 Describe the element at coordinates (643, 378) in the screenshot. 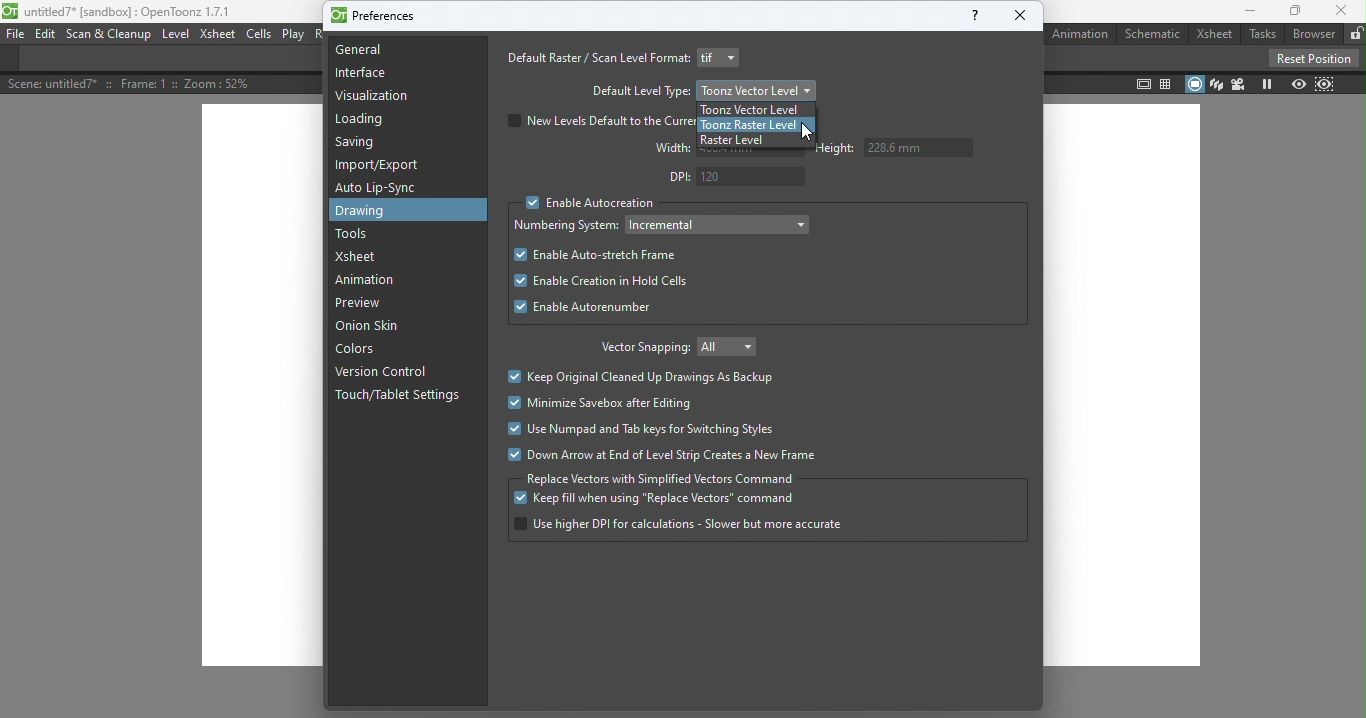

I see `Keep original cleaned up drawings as backup` at that location.